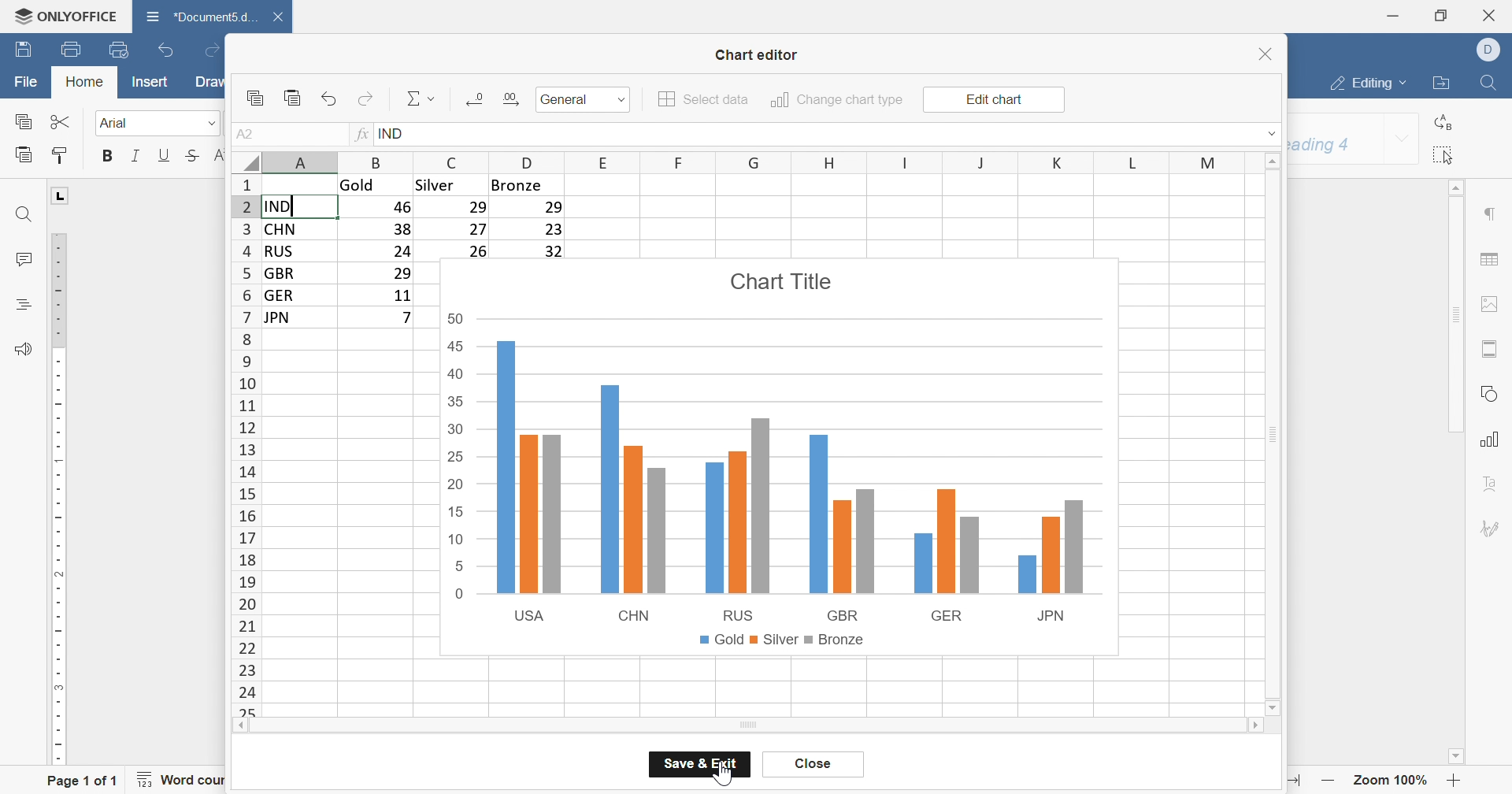  What do you see at coordinates (277, 206) in the screenshot?
I see `IND` at bounding box center [277, 206].